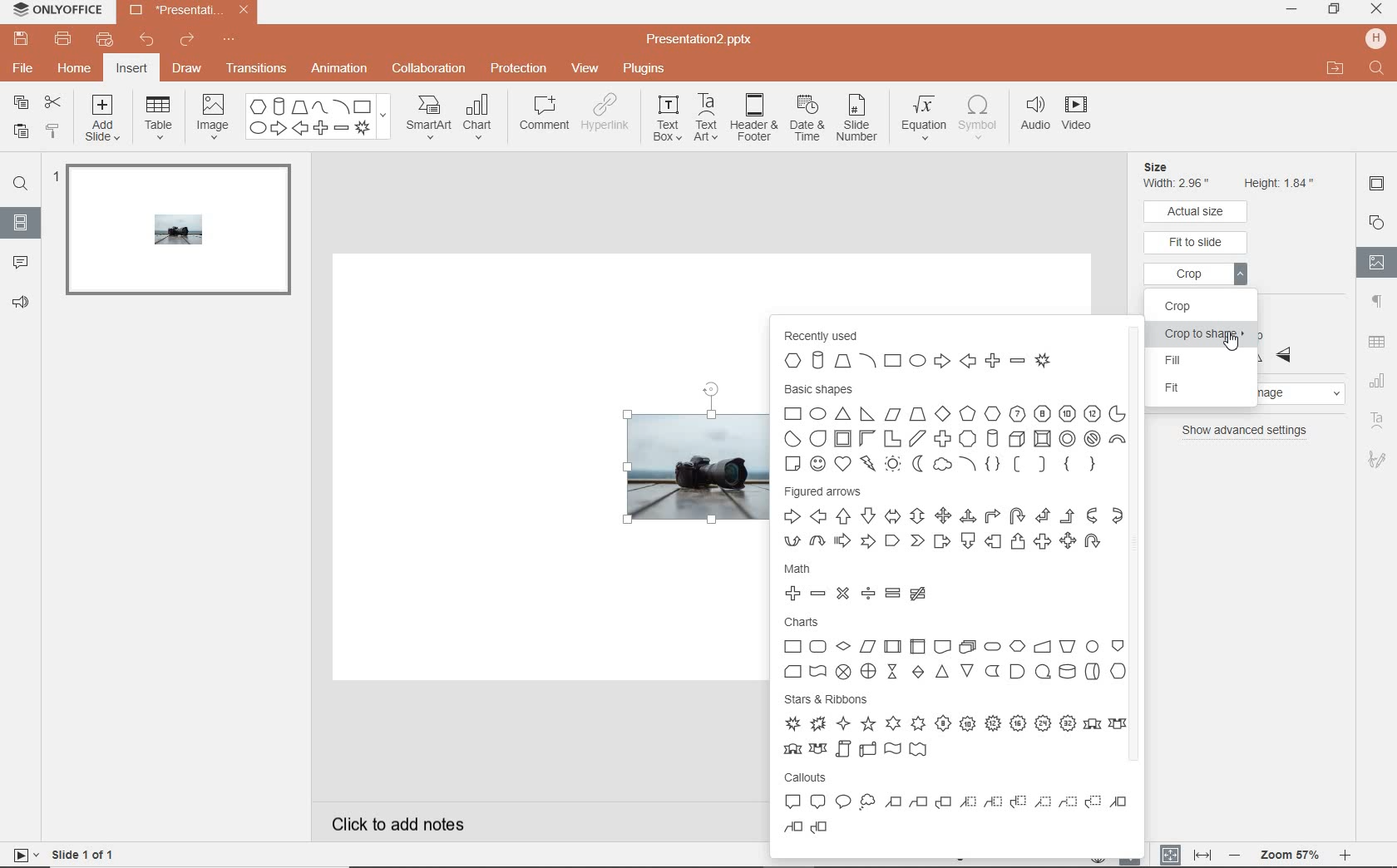  What do you see at coordinates (21, 264) in the screenshot?
I see `comment` at bounding box center [21, 264].